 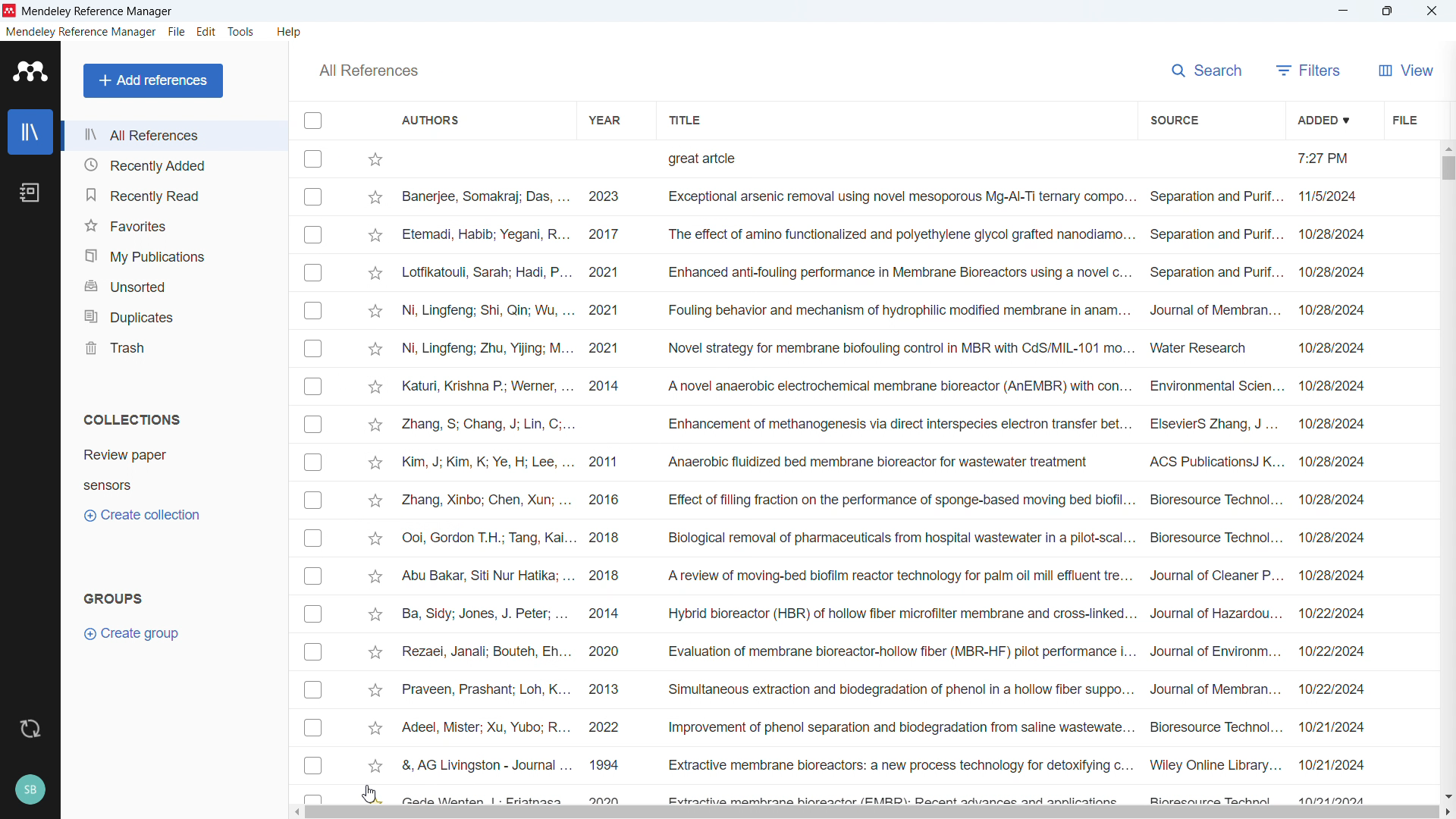 What do you see at coordinates (171, 165) in the screenshot?
I see `Recently added ` at bounding box center [171, 165].